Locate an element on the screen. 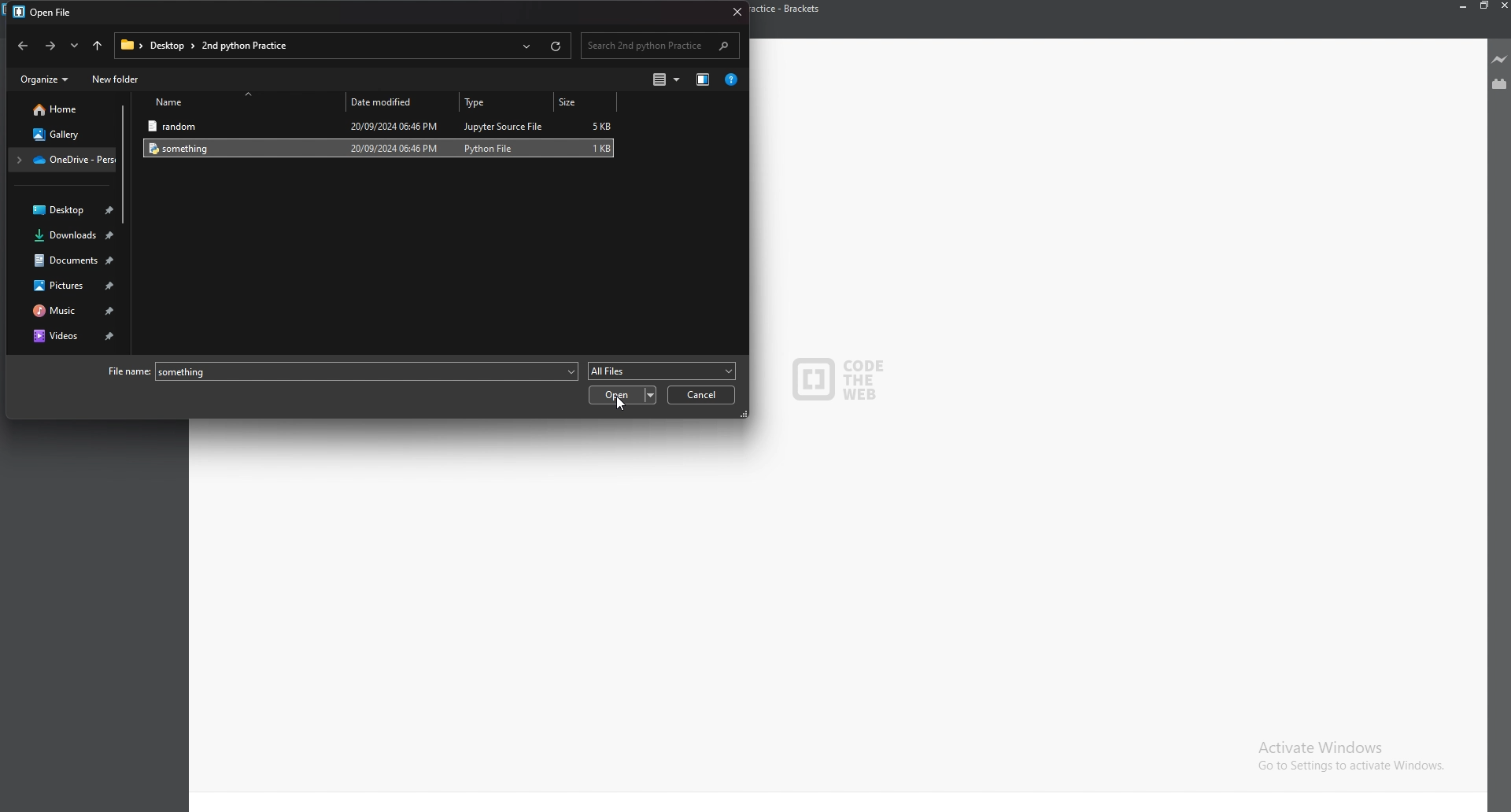 Image resolution: width=1511 pixels, height=812 pixels. resize is located at coordinates (1483, 6).